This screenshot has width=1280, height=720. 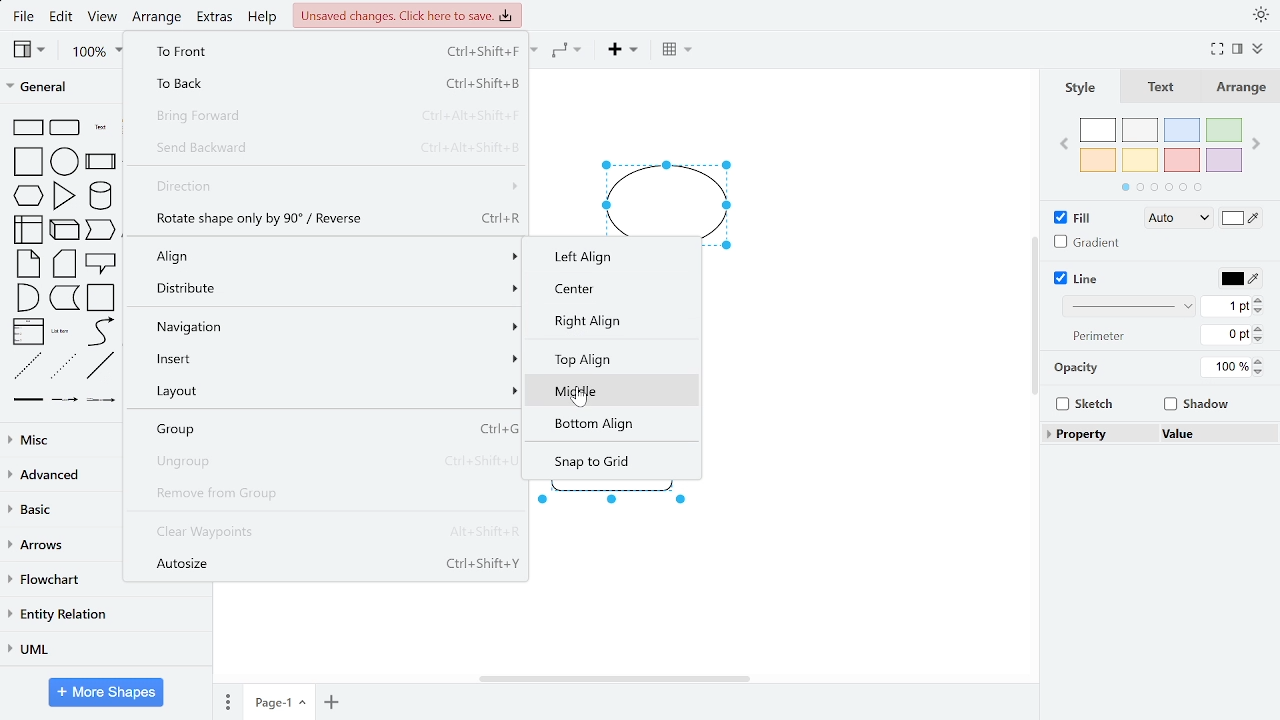 I want to click on Insert, so click(x=324, y=356).